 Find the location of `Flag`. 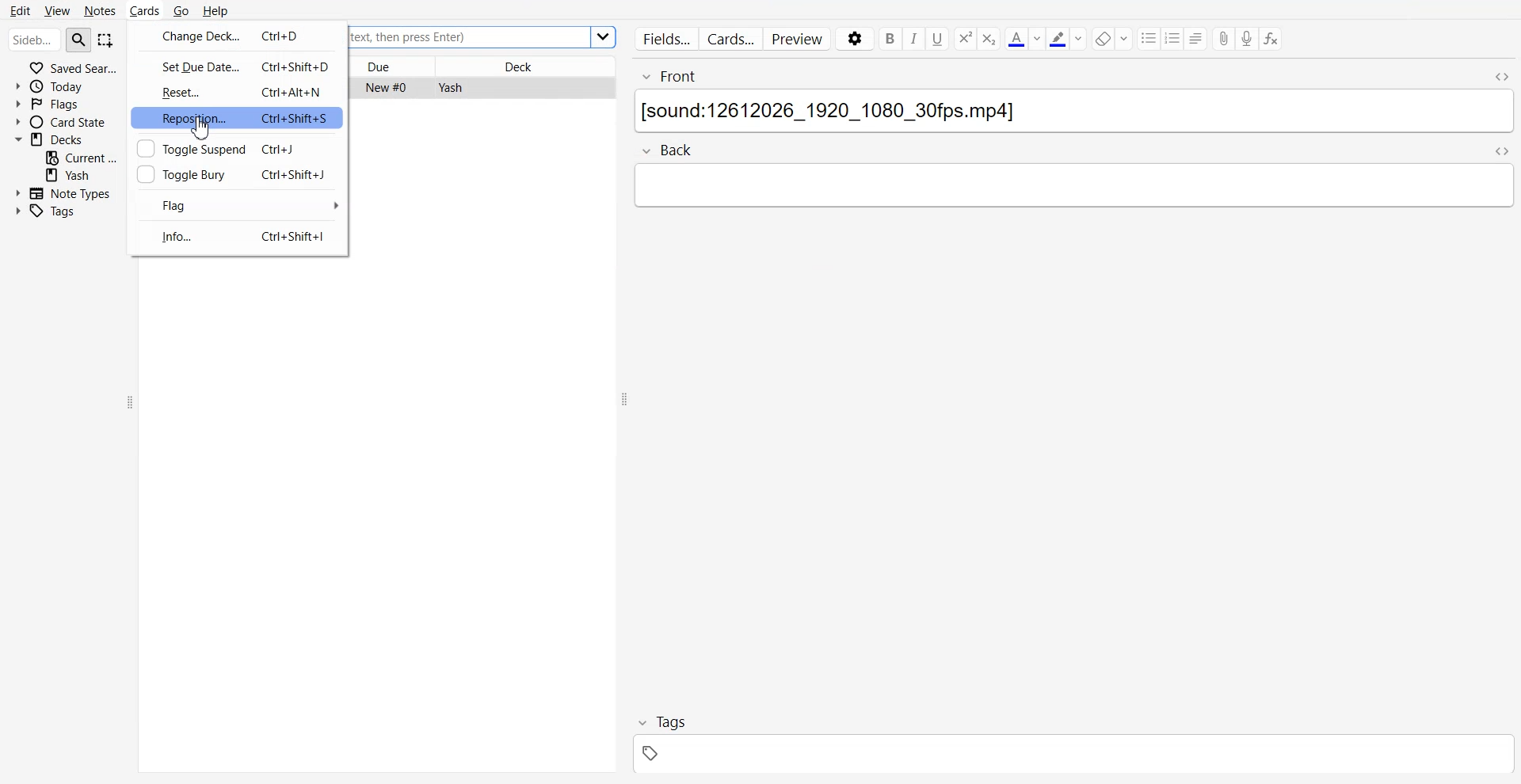

Flag is located at coordinates (237, 204).